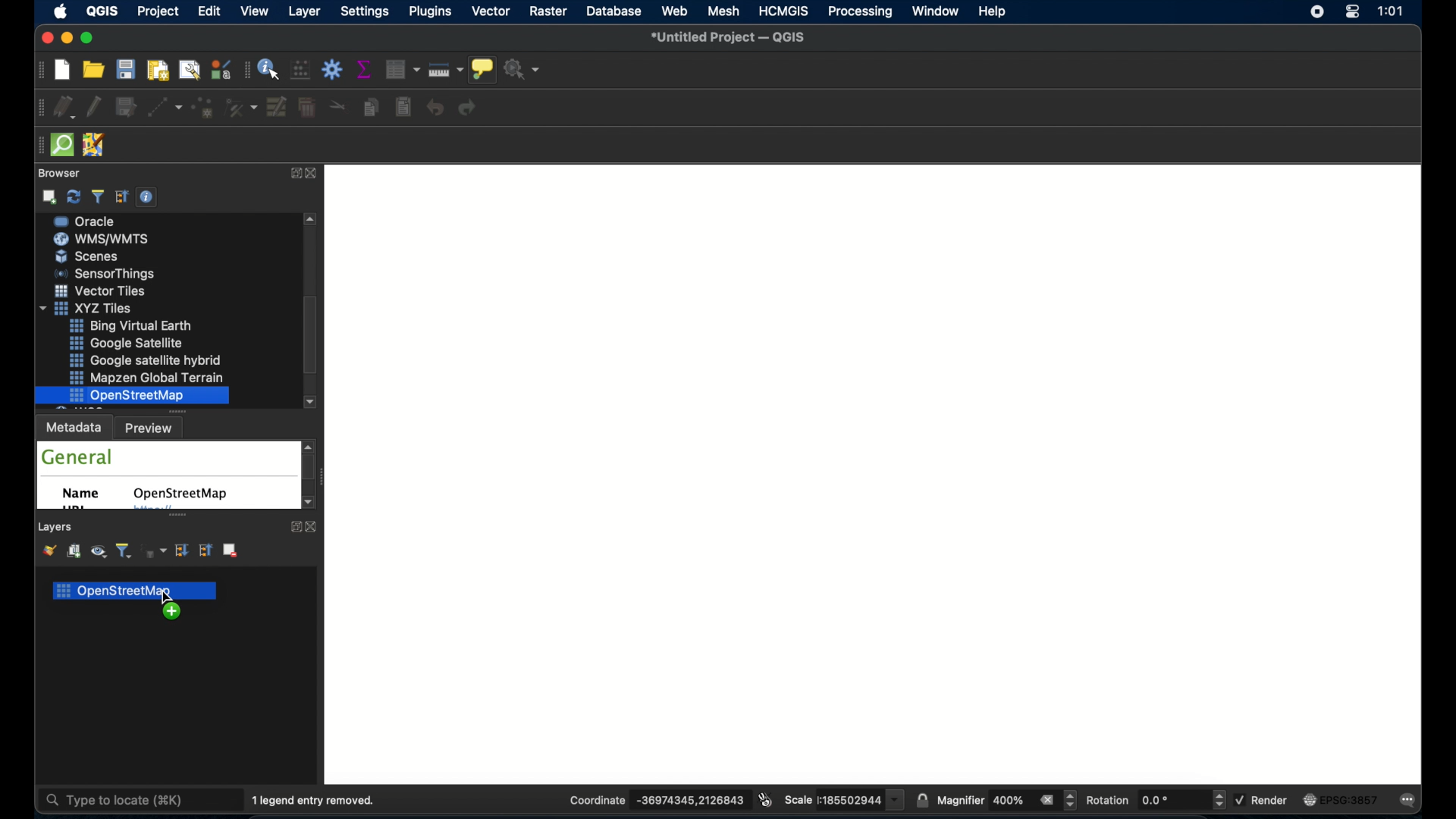 The width and height of the screenshot is (1456, 819). Describe the element at coordinates (765, 799) in the screenshot. I see `toggle extents and mouse position display` at that location.